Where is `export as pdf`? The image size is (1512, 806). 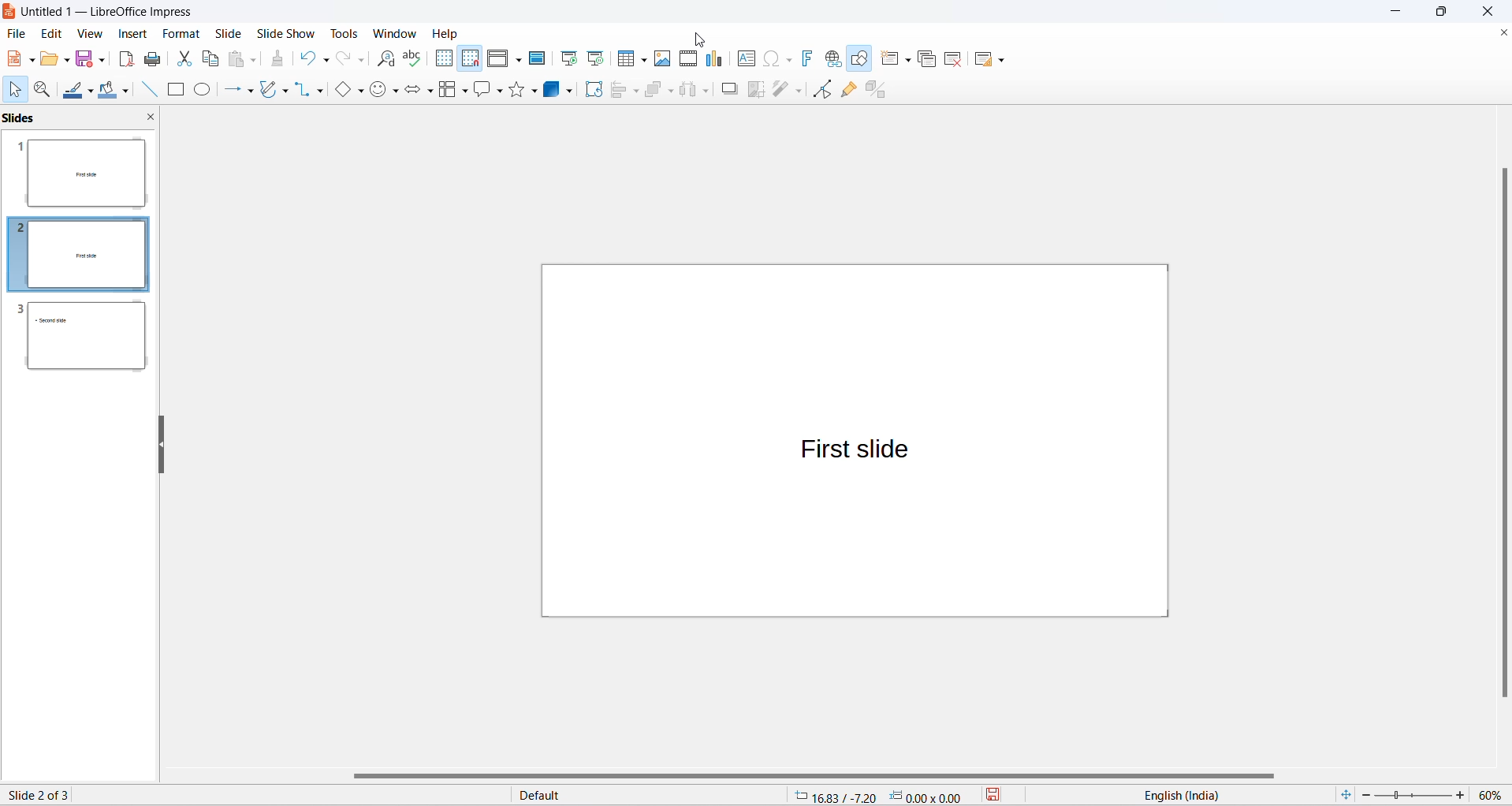 export as pdf is located at coordinates (127, 60).